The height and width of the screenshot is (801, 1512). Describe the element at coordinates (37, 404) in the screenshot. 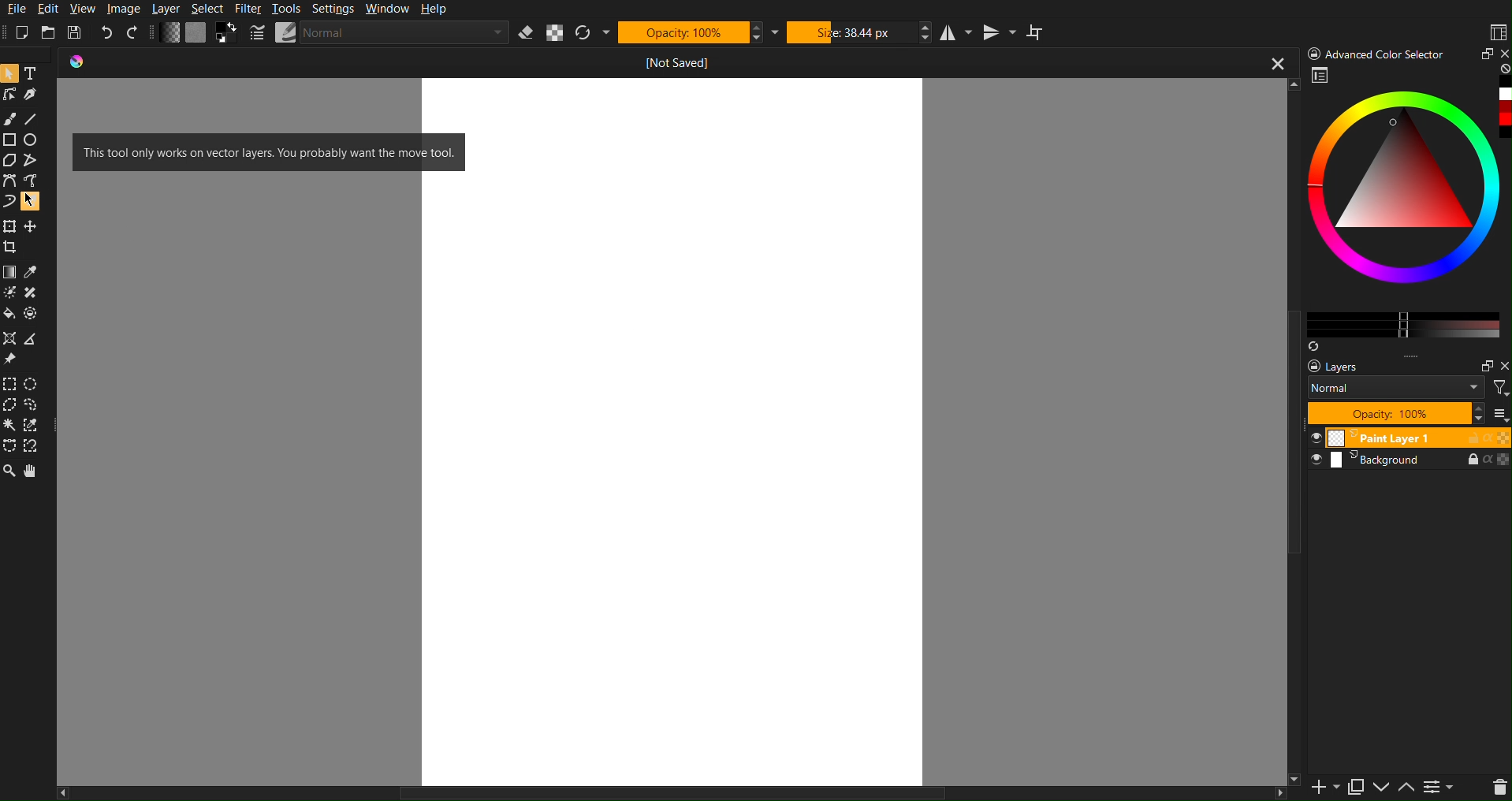

I see `Free shape selection tool` at that location.